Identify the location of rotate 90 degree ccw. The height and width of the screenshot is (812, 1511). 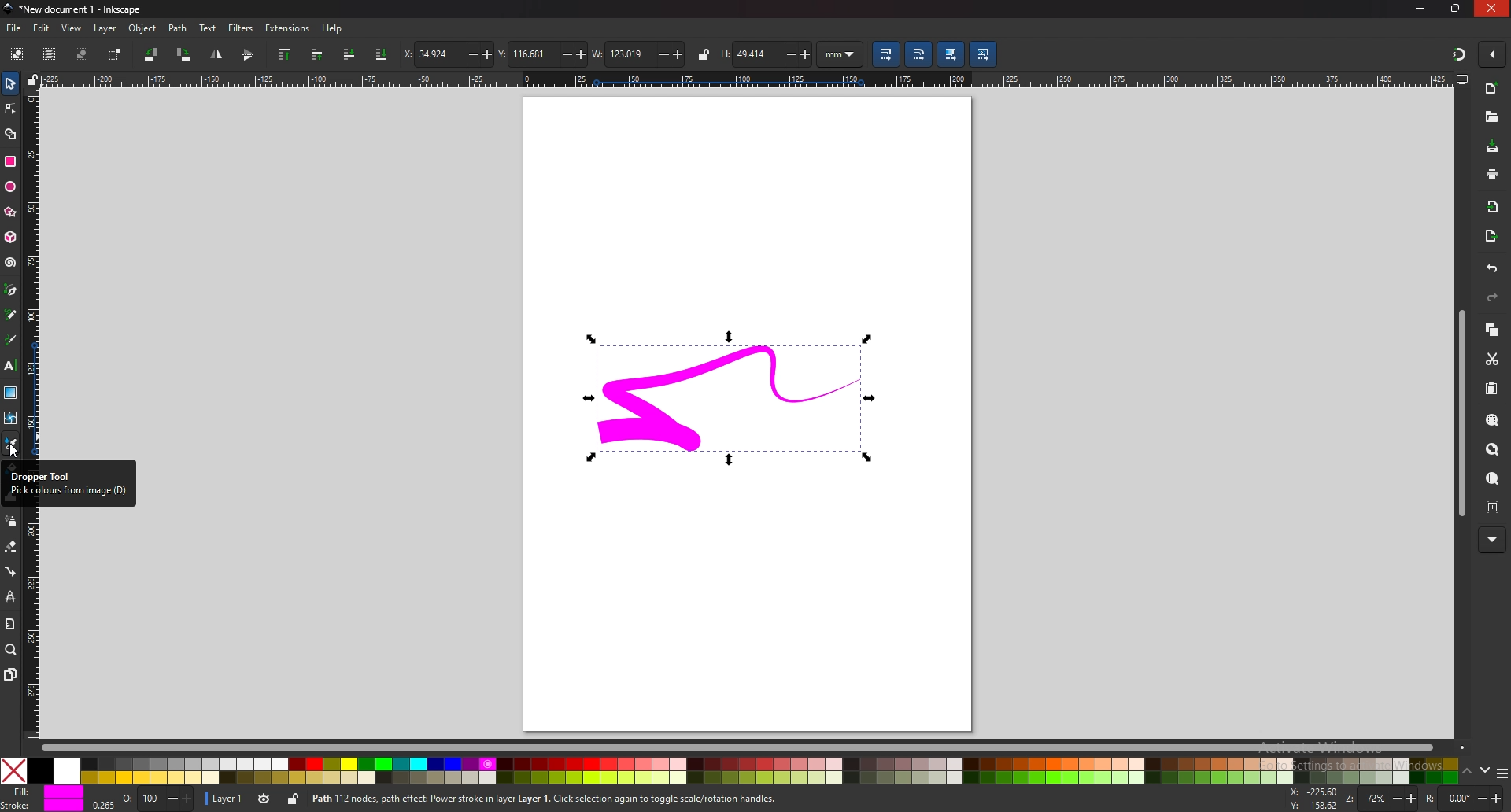
(152, 55).